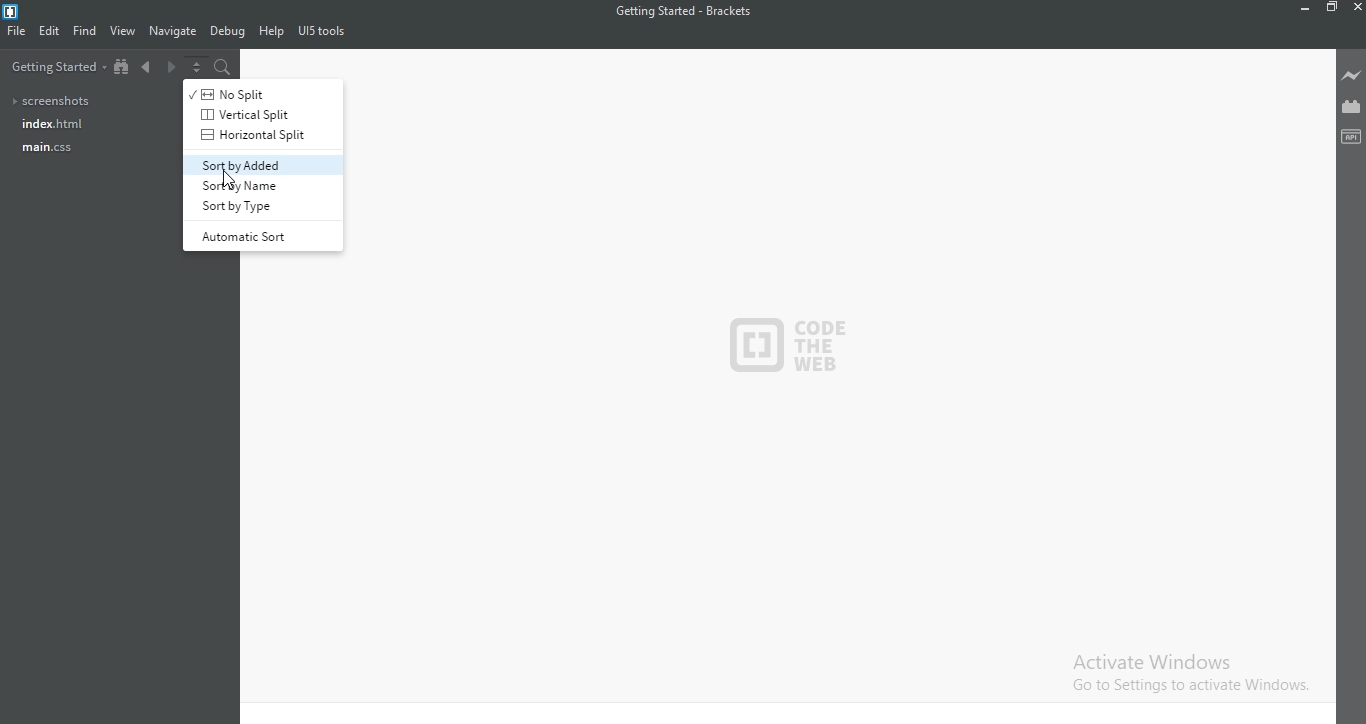  Describe the element at coordinates (124, 31) in the screenshot. I see `View` at that location.